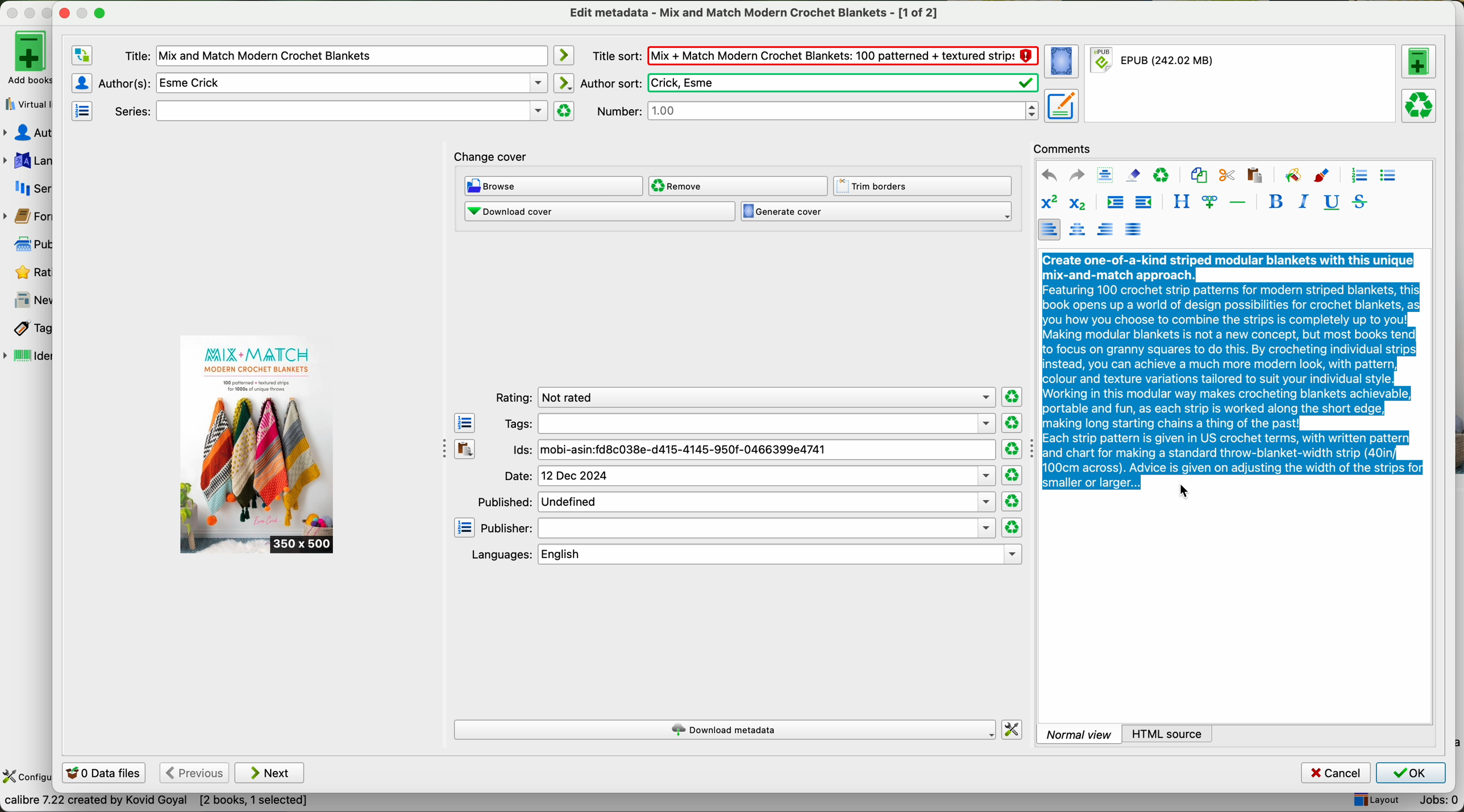 This screenshot has width=1464, height=812. What do you see at coordinates (599, 211) in the screenshot?
I see `download cover` at bounding box center [599, 211].